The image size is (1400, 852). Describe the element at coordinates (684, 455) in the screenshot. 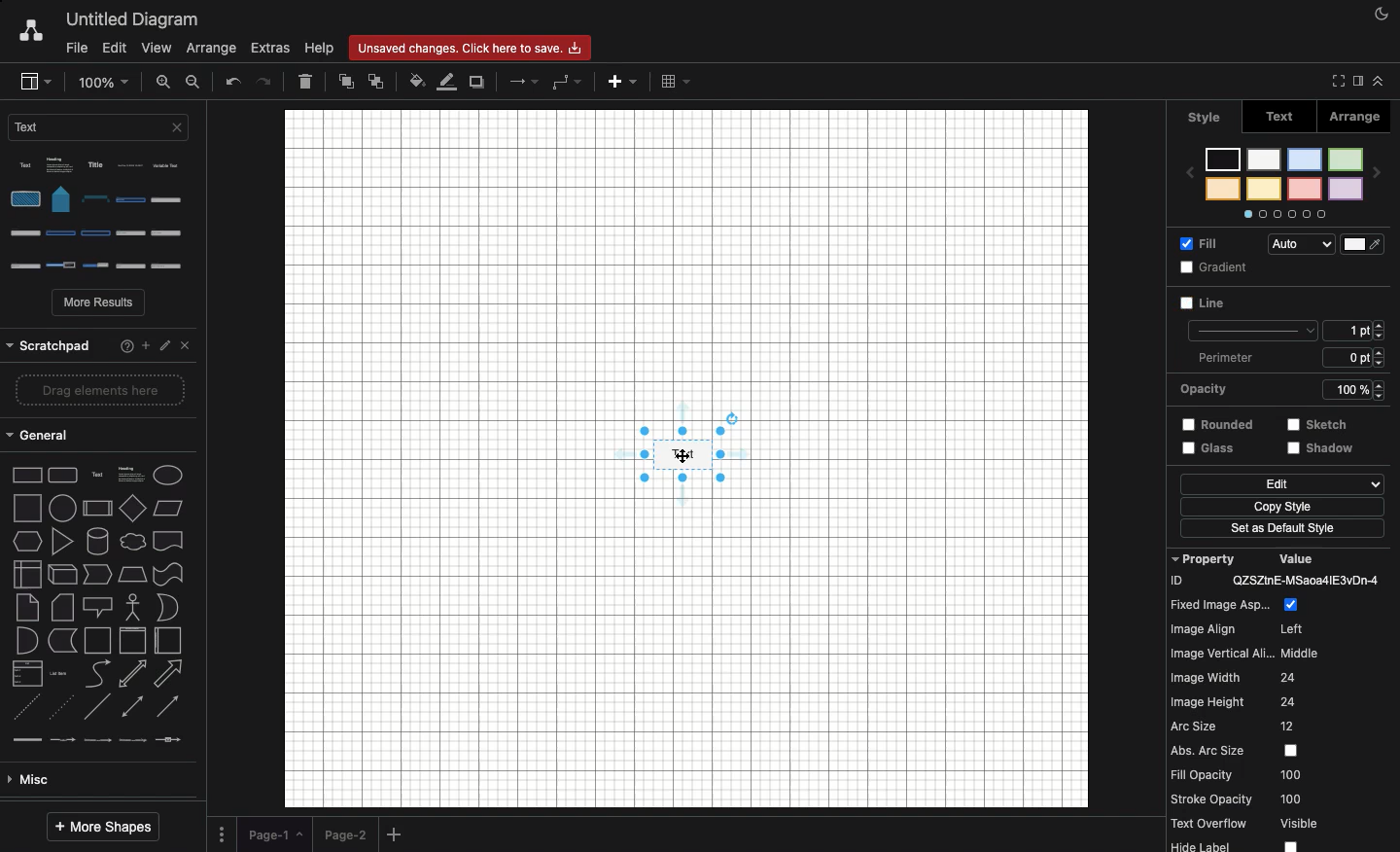

I see `Style selected` at that location.